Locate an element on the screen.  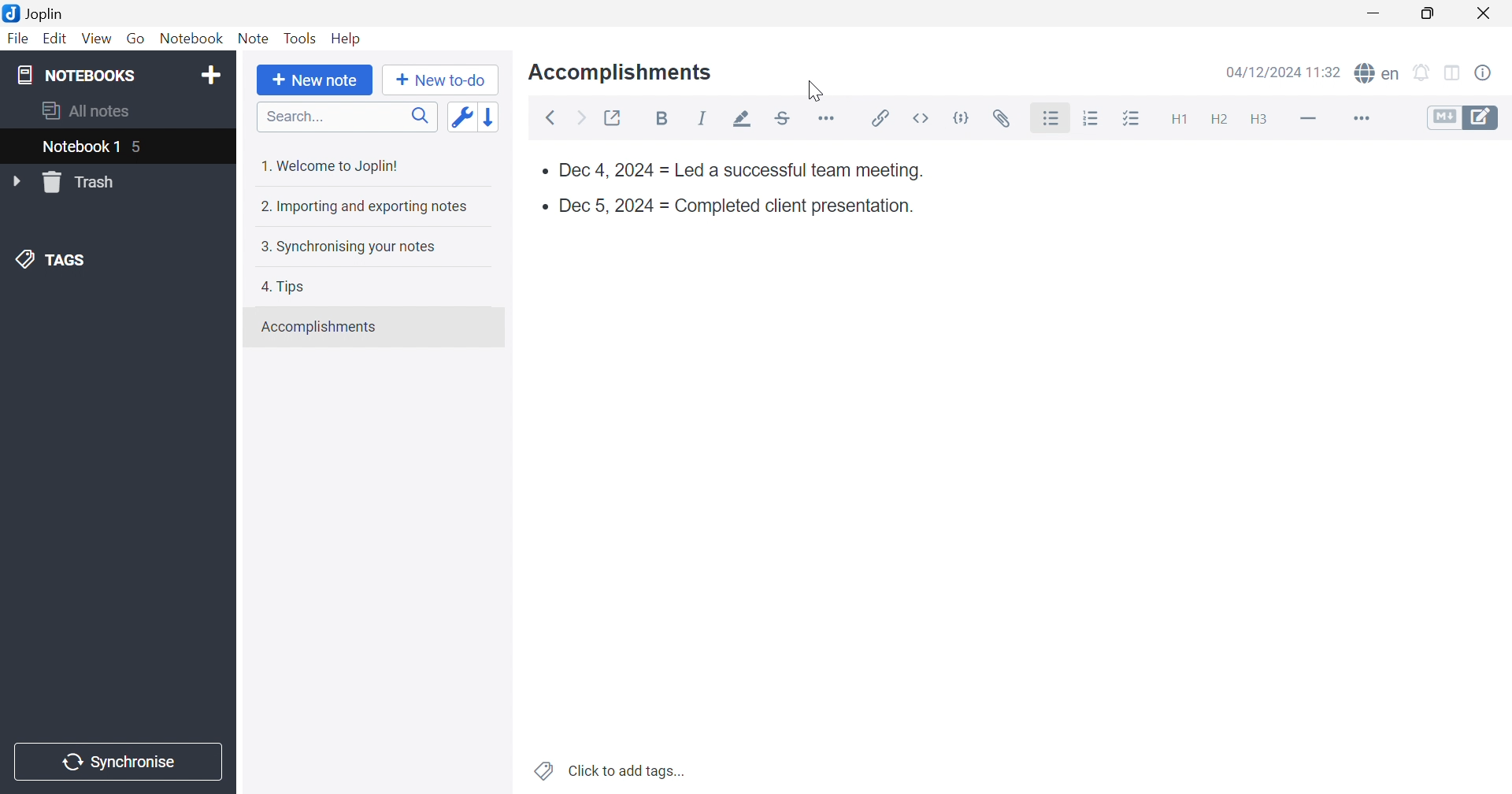
Go is located at coordinates (138, 39).